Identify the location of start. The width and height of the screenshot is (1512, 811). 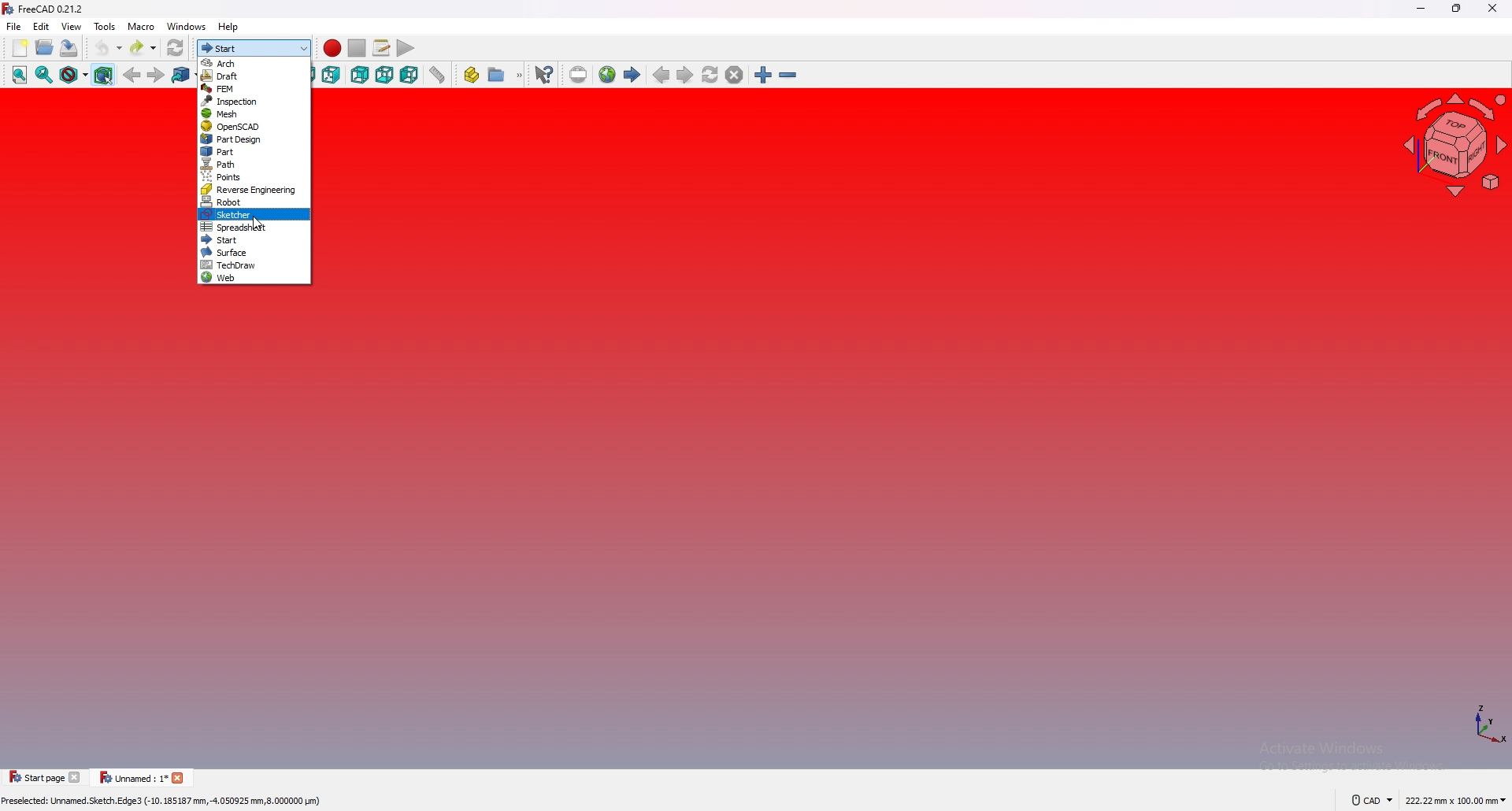
(254, 240).